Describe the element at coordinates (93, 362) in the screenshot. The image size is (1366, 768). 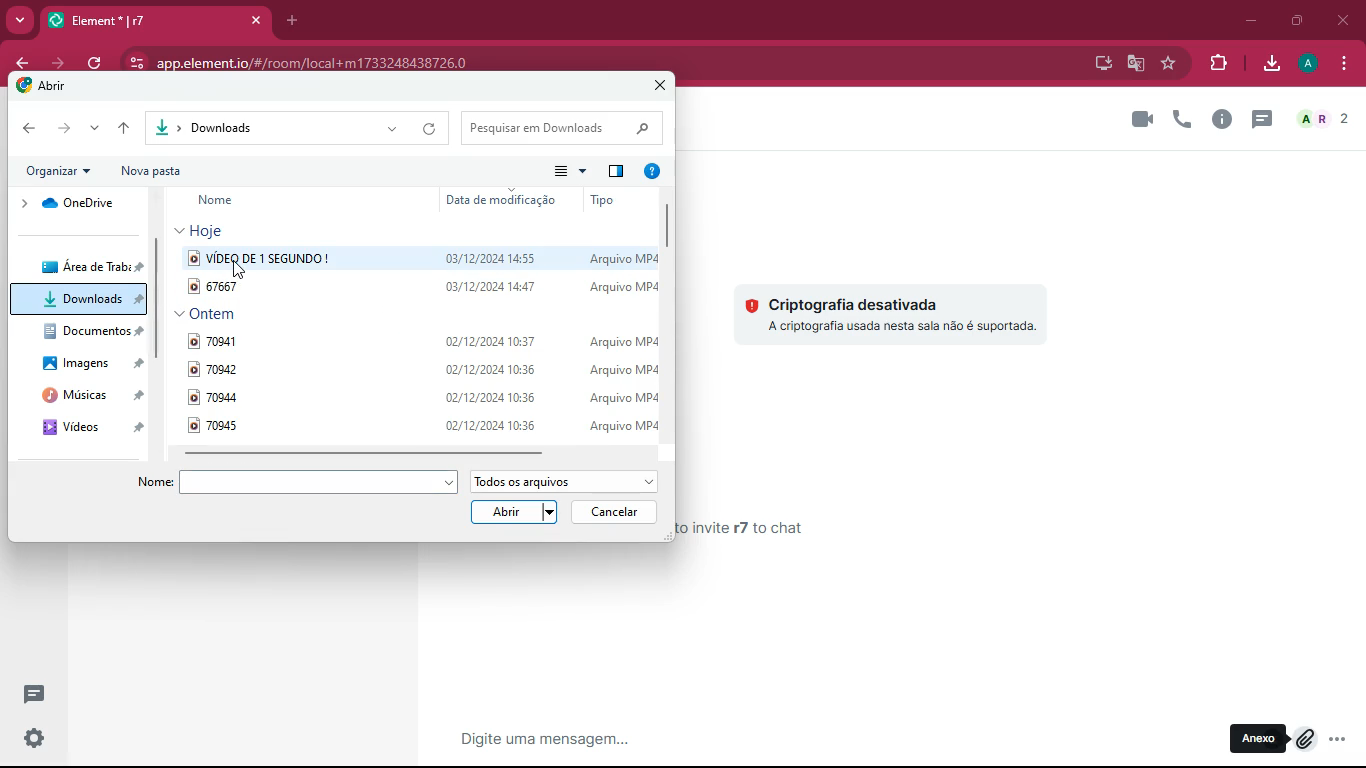
I see `imagens` at that location.